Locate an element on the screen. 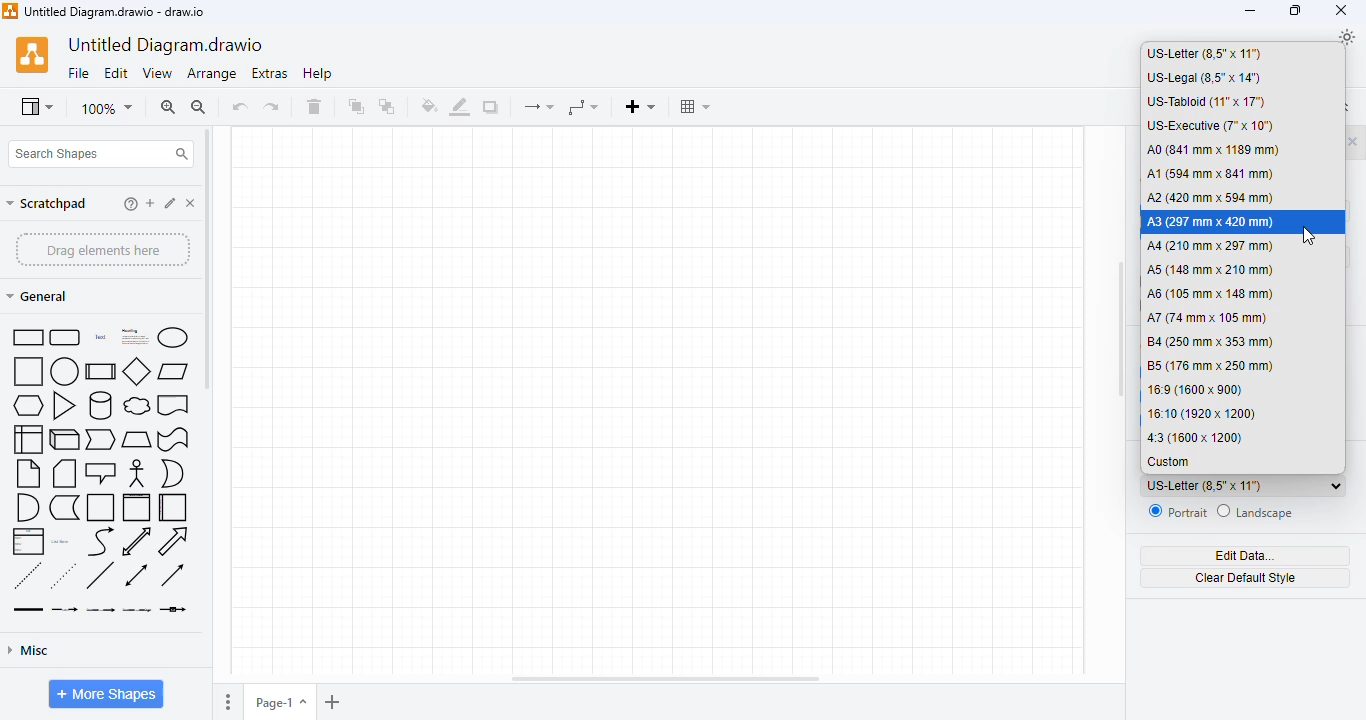 This screenshot has width=1366, height=720. to back is located at coordinates (388, 106).